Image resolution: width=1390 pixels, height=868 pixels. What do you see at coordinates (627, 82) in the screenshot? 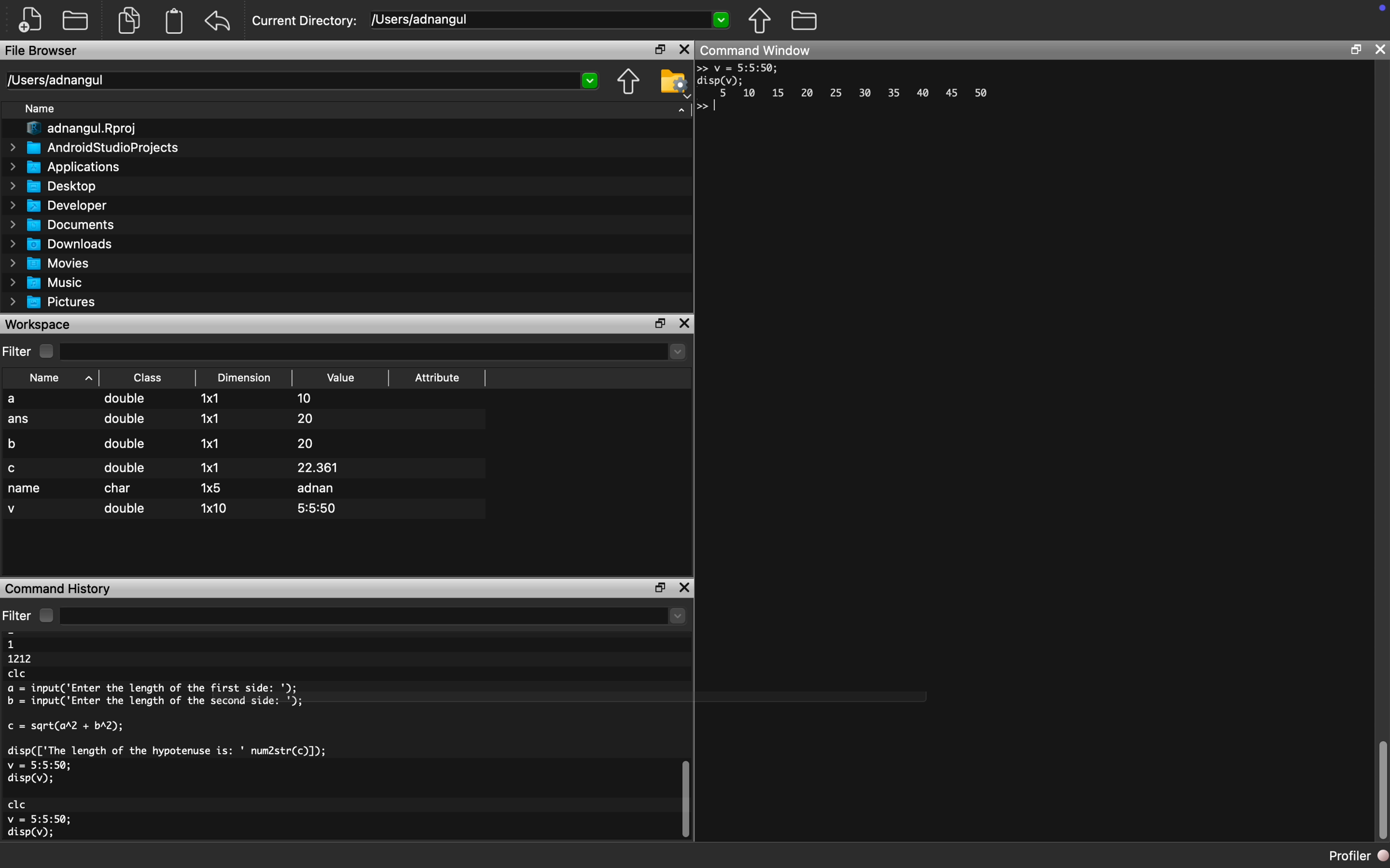
I see `Previous Folder` at bounding box center [627, 82].